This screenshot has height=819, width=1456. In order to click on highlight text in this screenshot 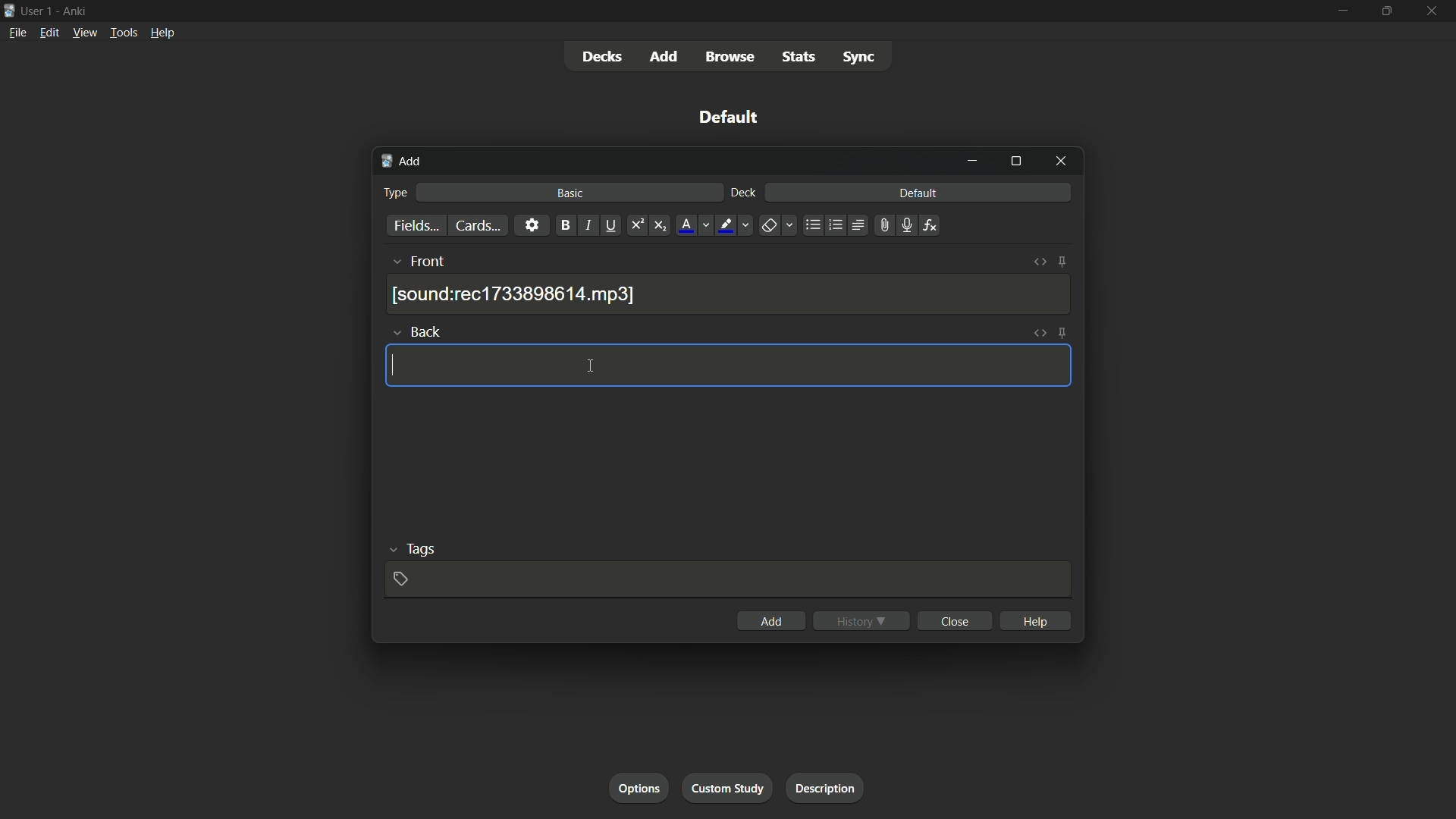, I will do `click(725, 225)`.